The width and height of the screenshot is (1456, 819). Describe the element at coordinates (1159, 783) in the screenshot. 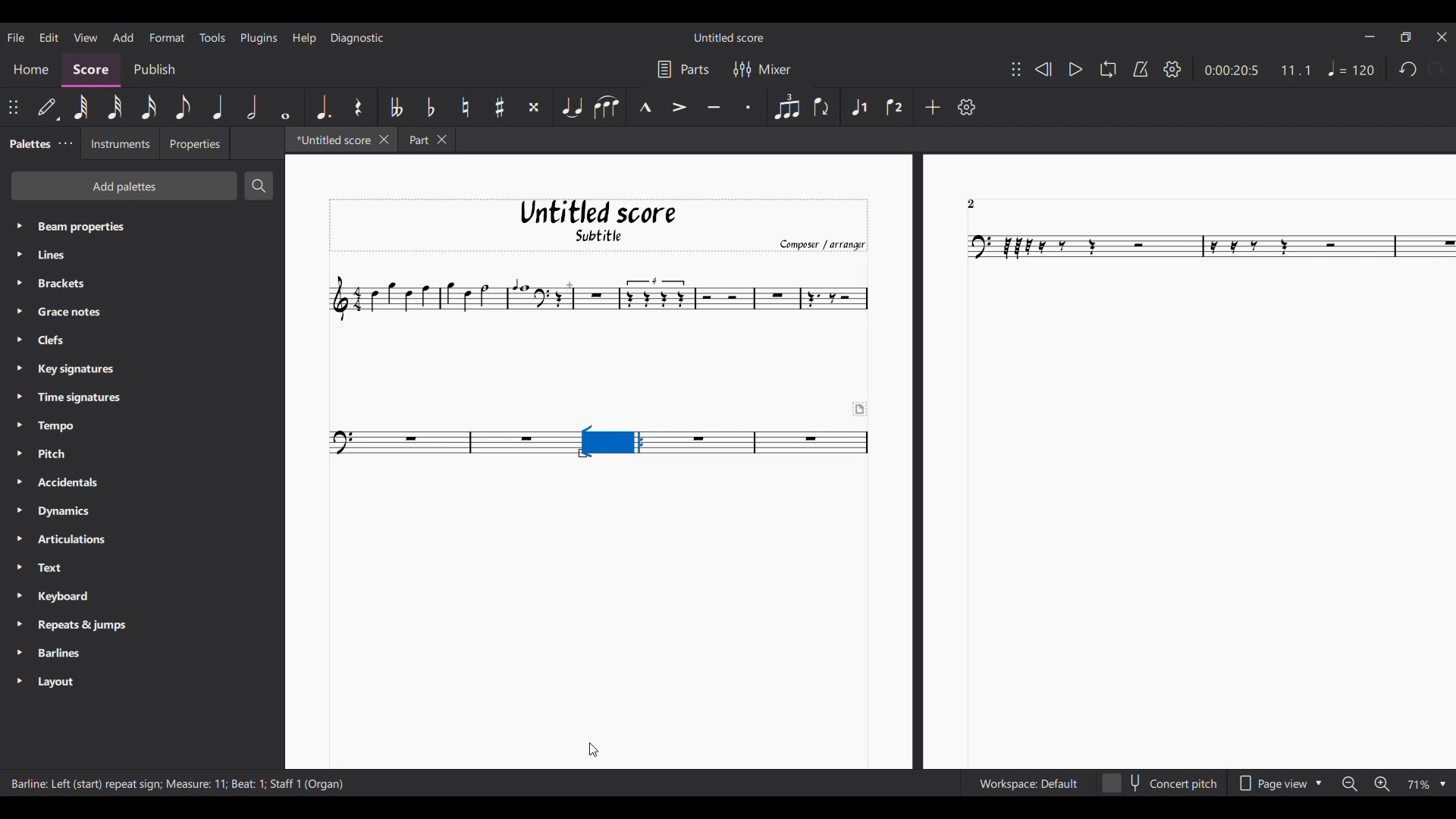

I see `Toggle for concert pitch` at that location.